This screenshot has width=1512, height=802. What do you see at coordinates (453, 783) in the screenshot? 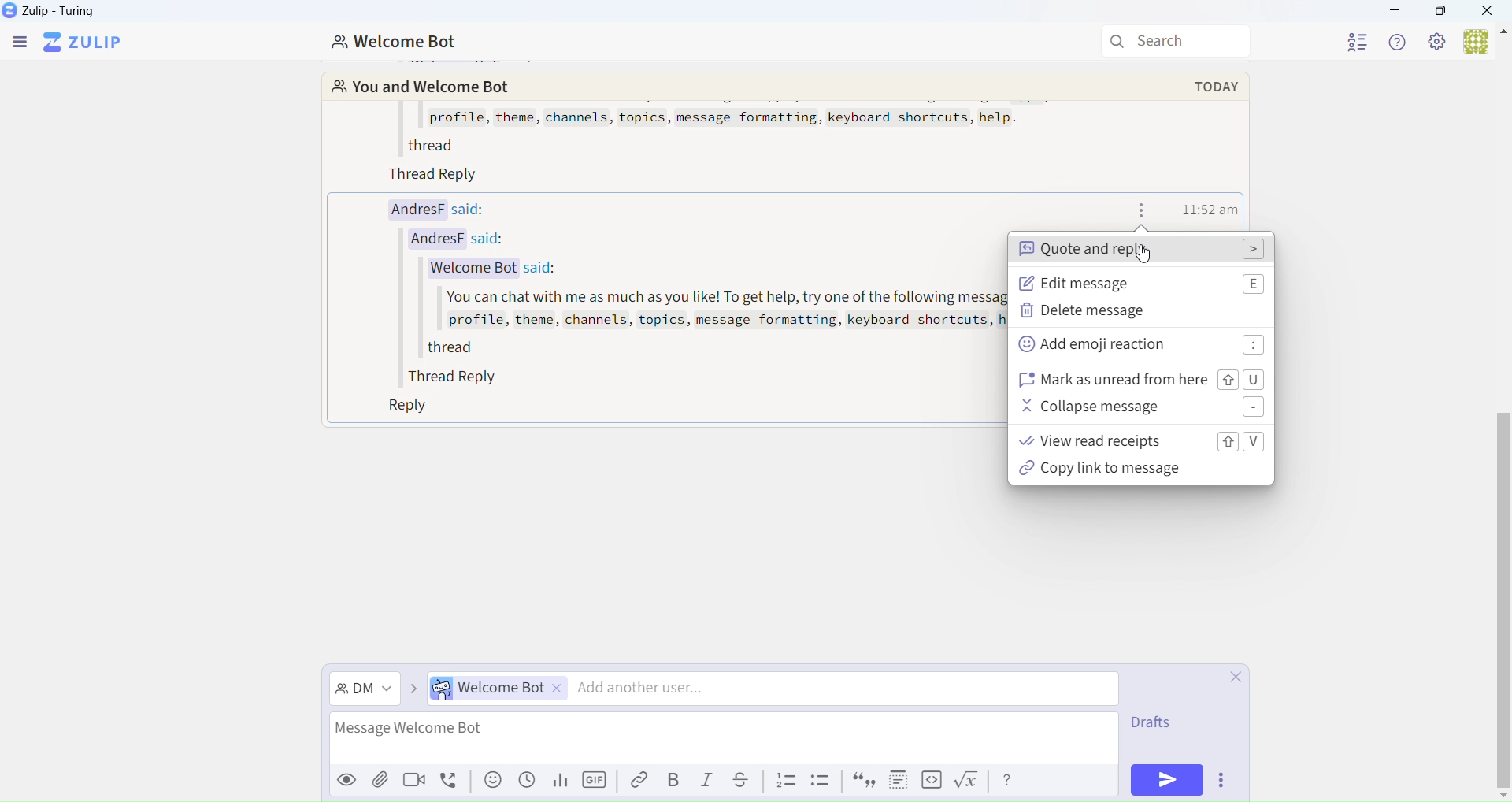
I see `voicecall` at bounding box center [453, 783].